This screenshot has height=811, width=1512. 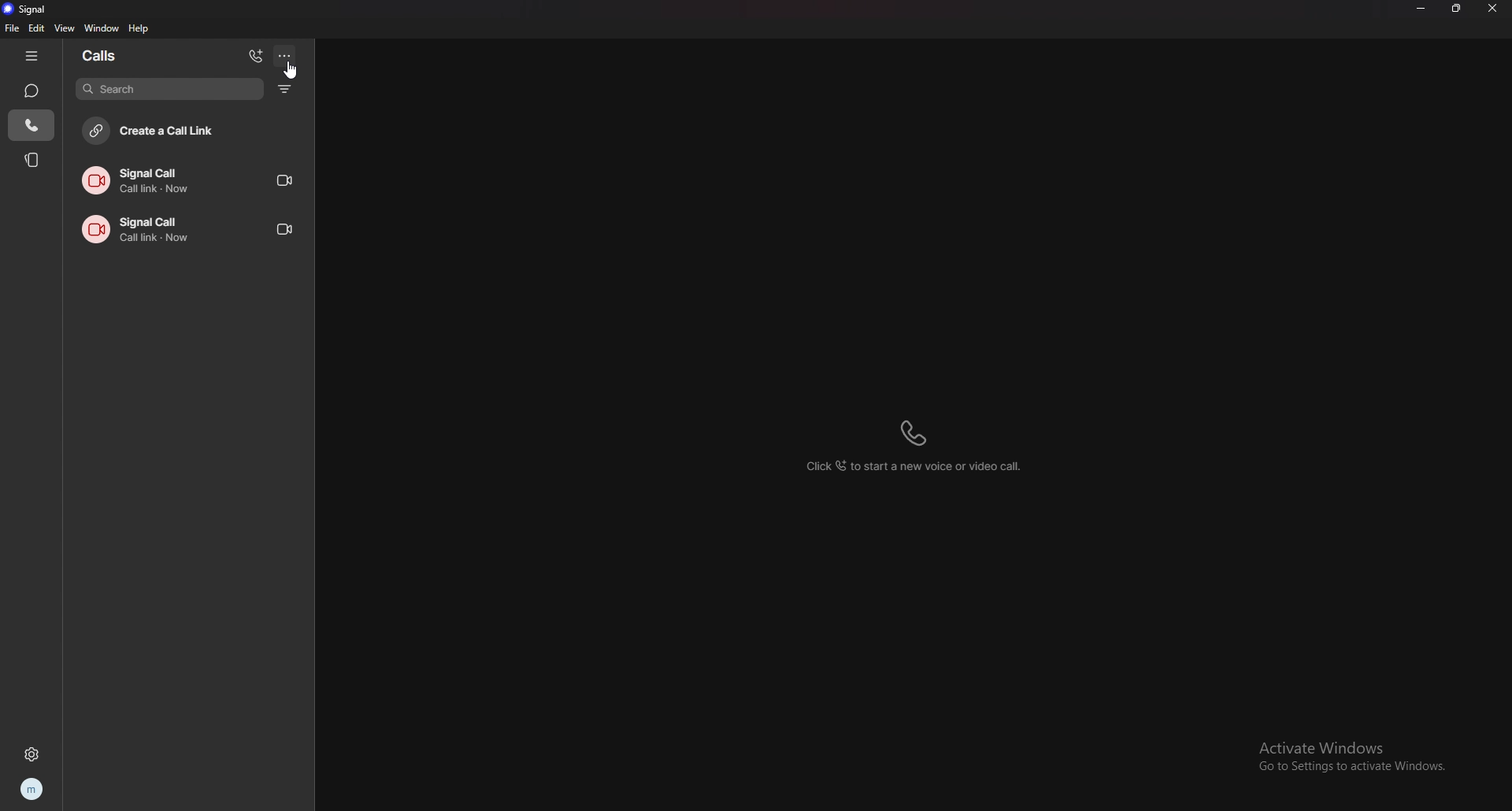 What do you see at coordinates (34, 160) in the screenshot?
I see `stories` at bounding box center [34, 160].